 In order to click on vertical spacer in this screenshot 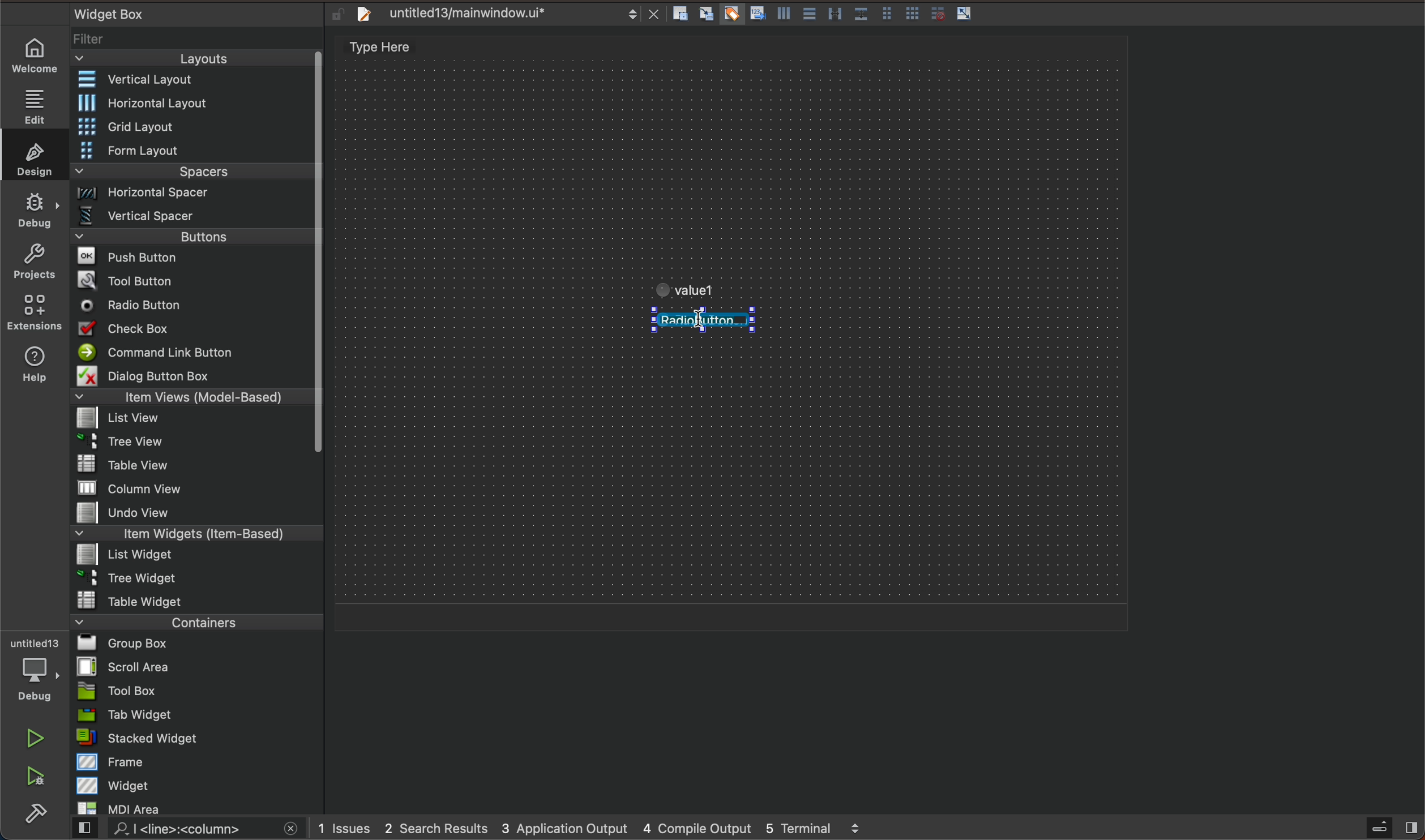, I will do `click(192, 218)`.